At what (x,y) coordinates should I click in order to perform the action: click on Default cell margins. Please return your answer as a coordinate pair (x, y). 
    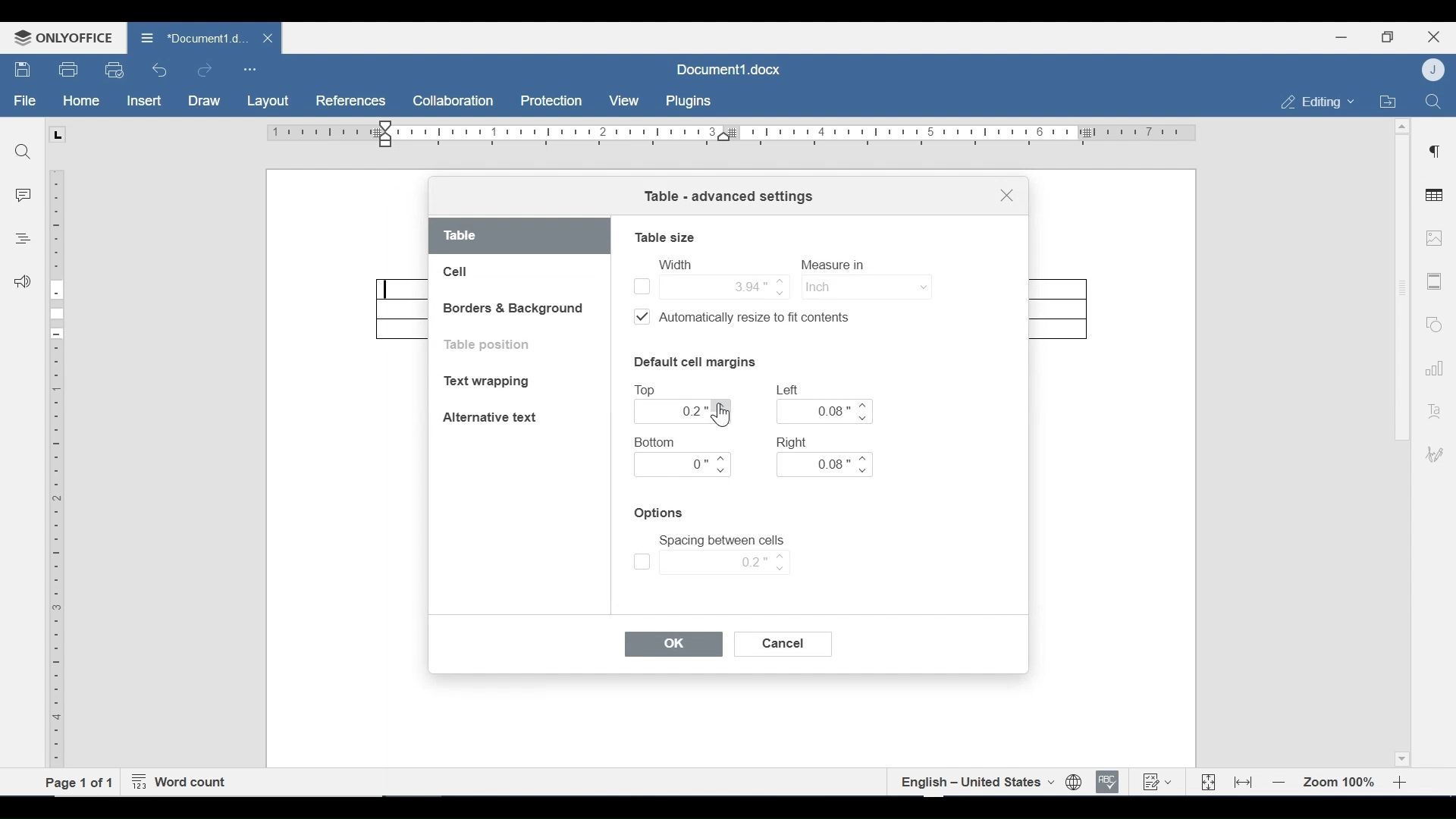
    Looking at the image, I should click on (694, 361).